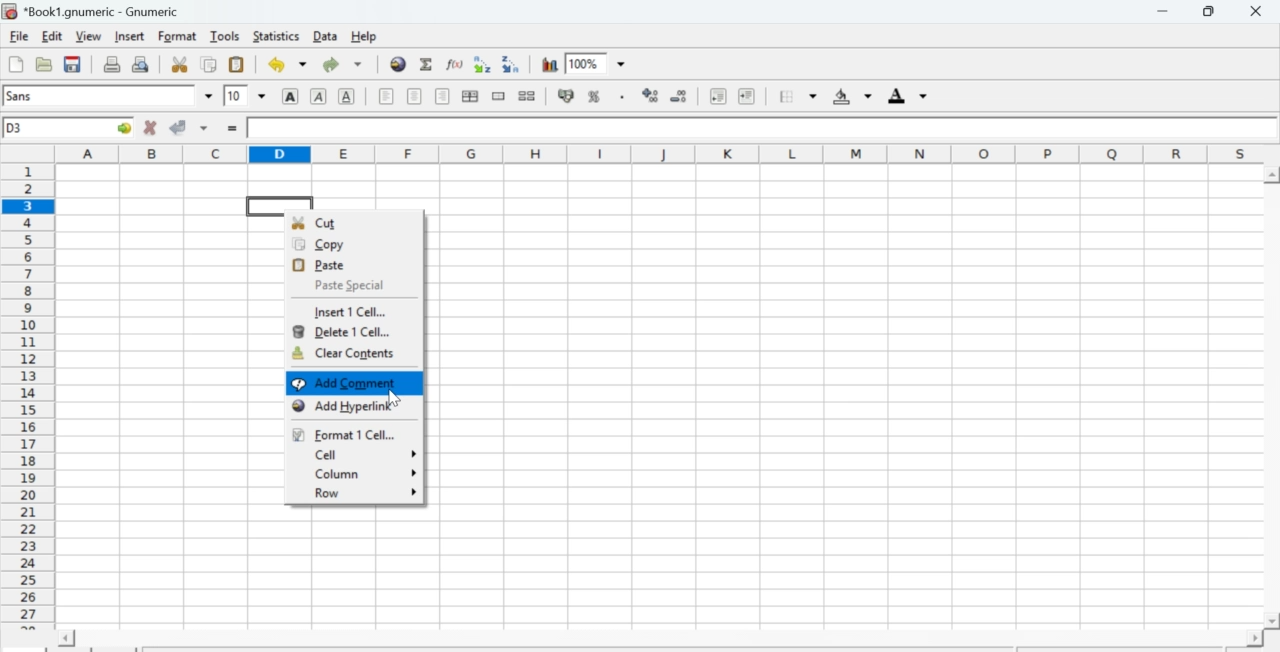 The width and height of the screenshot is (1280, 652). What do you see at coordinates (500, 96) in the screenshot?
I see `Merge cells` at bounding box center [500, 96].